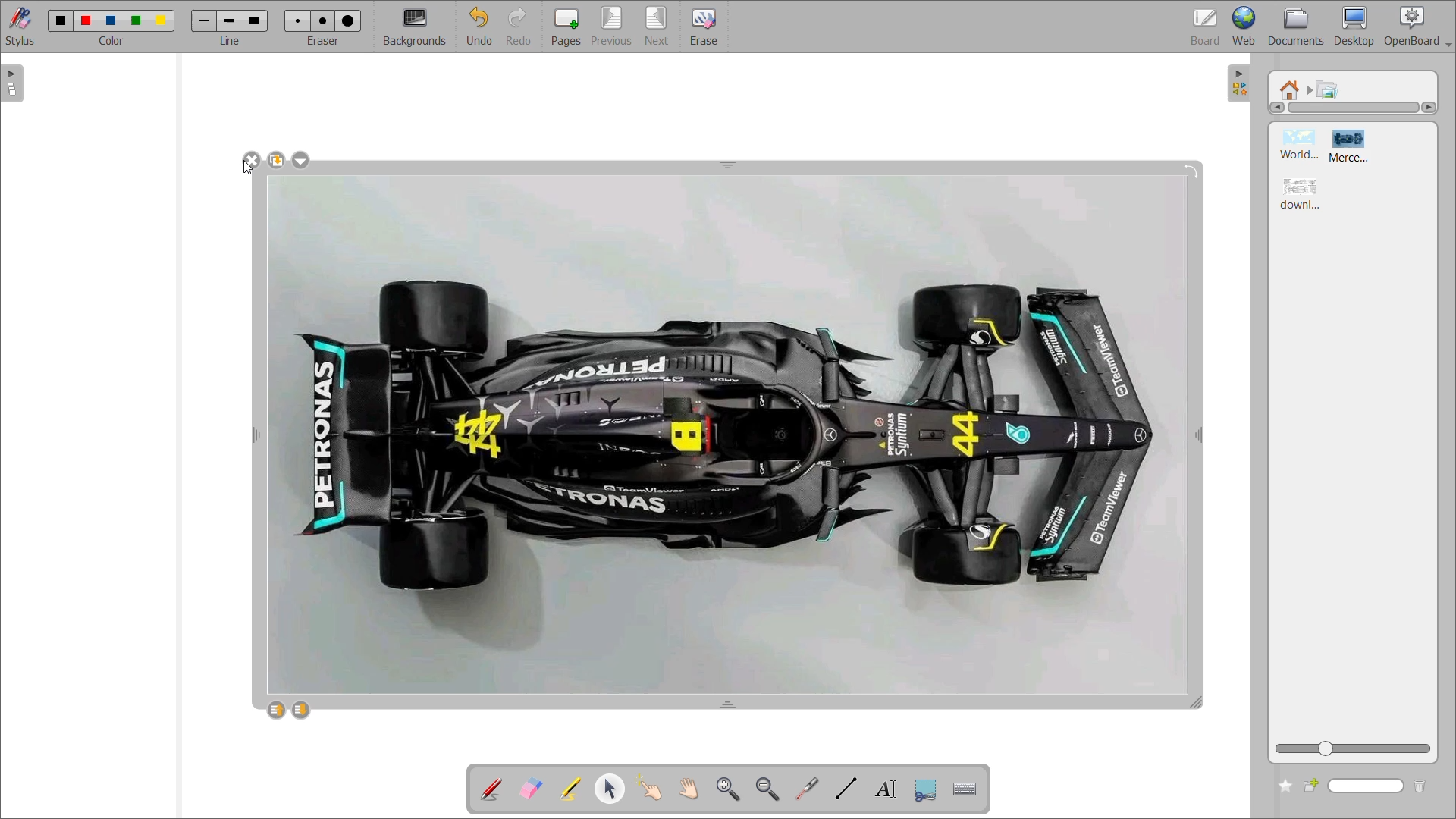 Image resolution: width=1456 pixels, height=819 pixels. Describe the element at coordinates (530, 789) in the screenshot. I see `erase annotation` at that location.